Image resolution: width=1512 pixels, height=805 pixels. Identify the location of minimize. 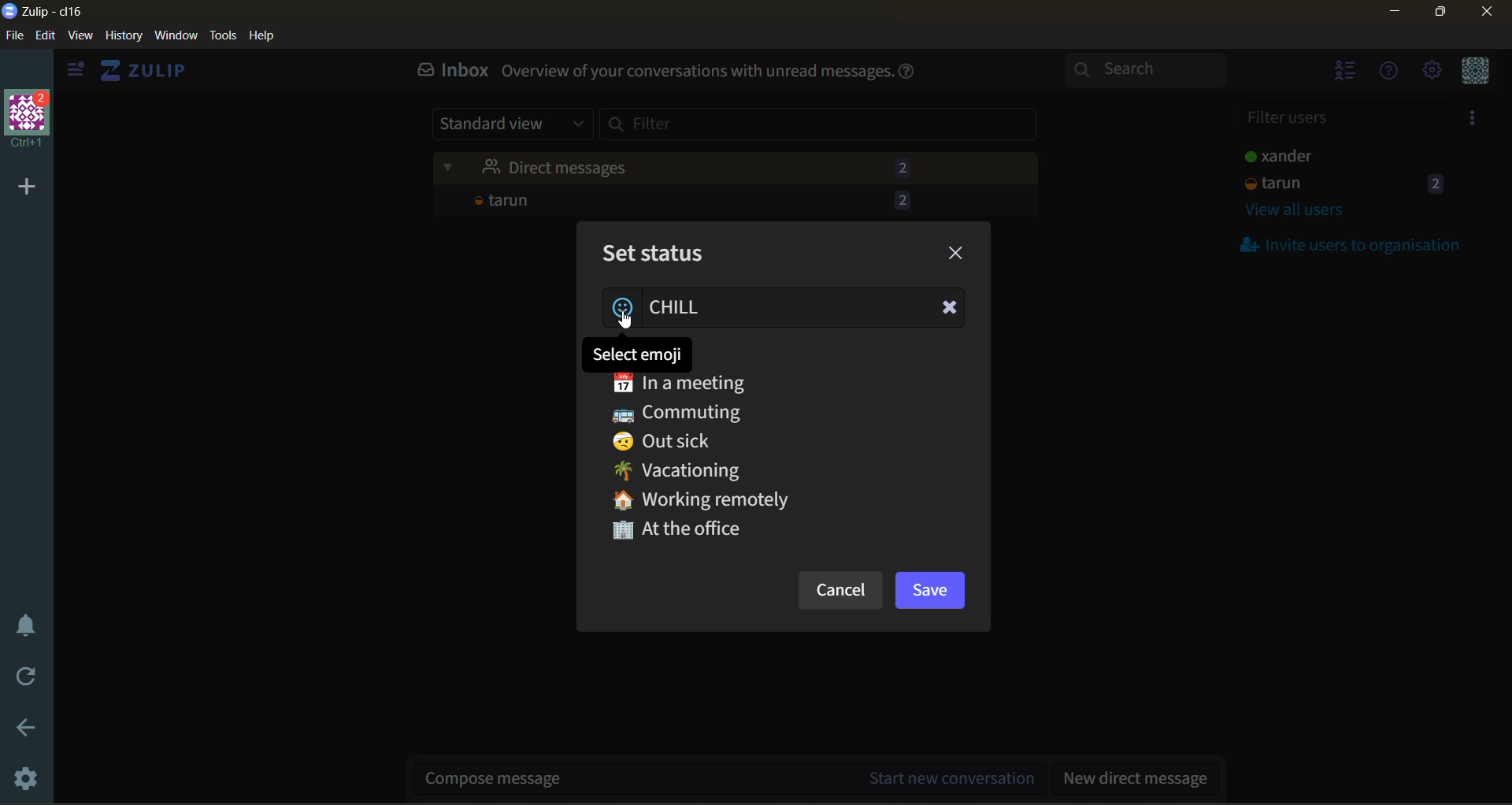
(1397, 13).